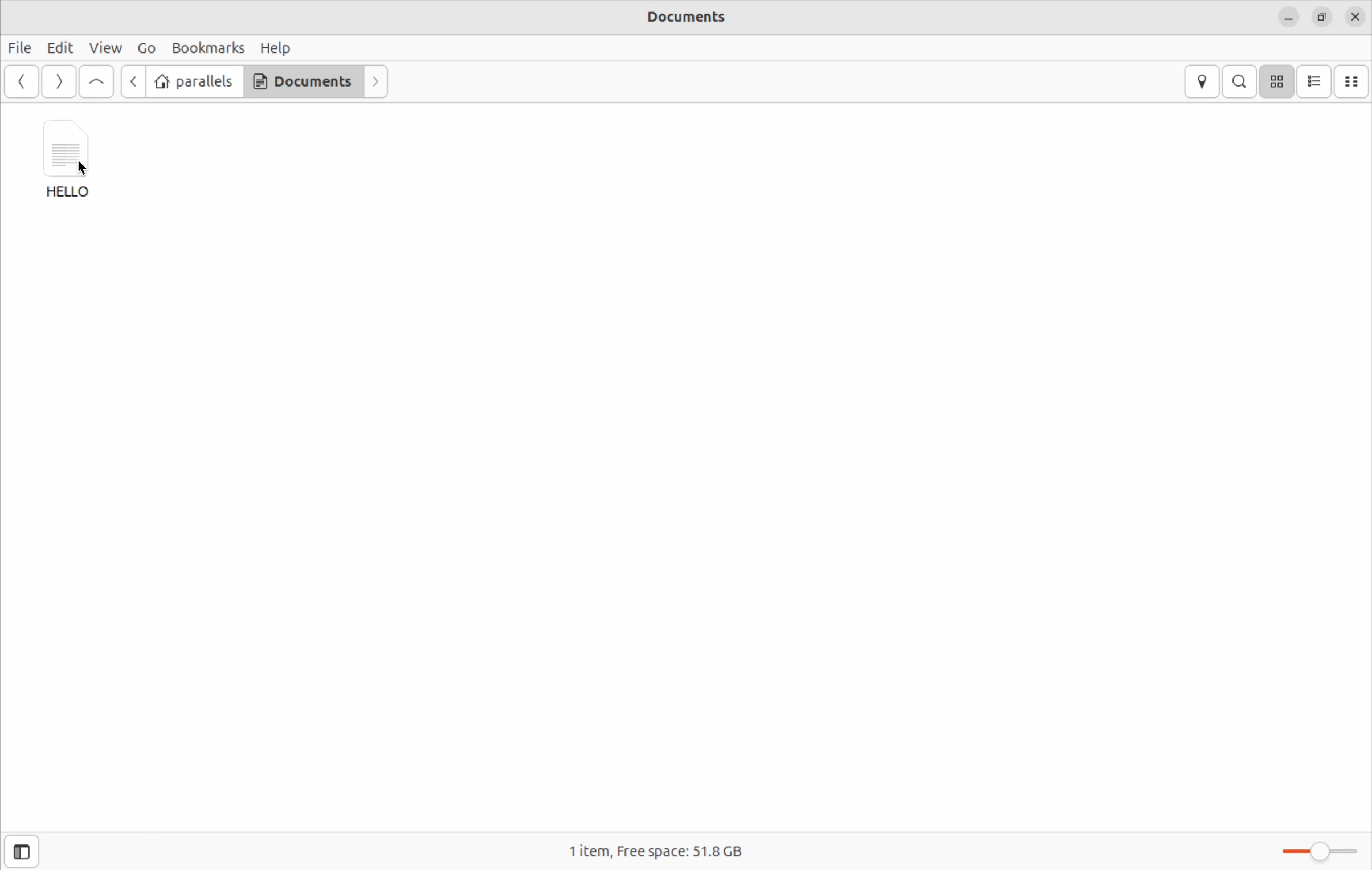 The width and height of the screenshot is (1372, 870). Describe the element at coordinates (197, 80) in the screenshot. I see `parallel` at that location.